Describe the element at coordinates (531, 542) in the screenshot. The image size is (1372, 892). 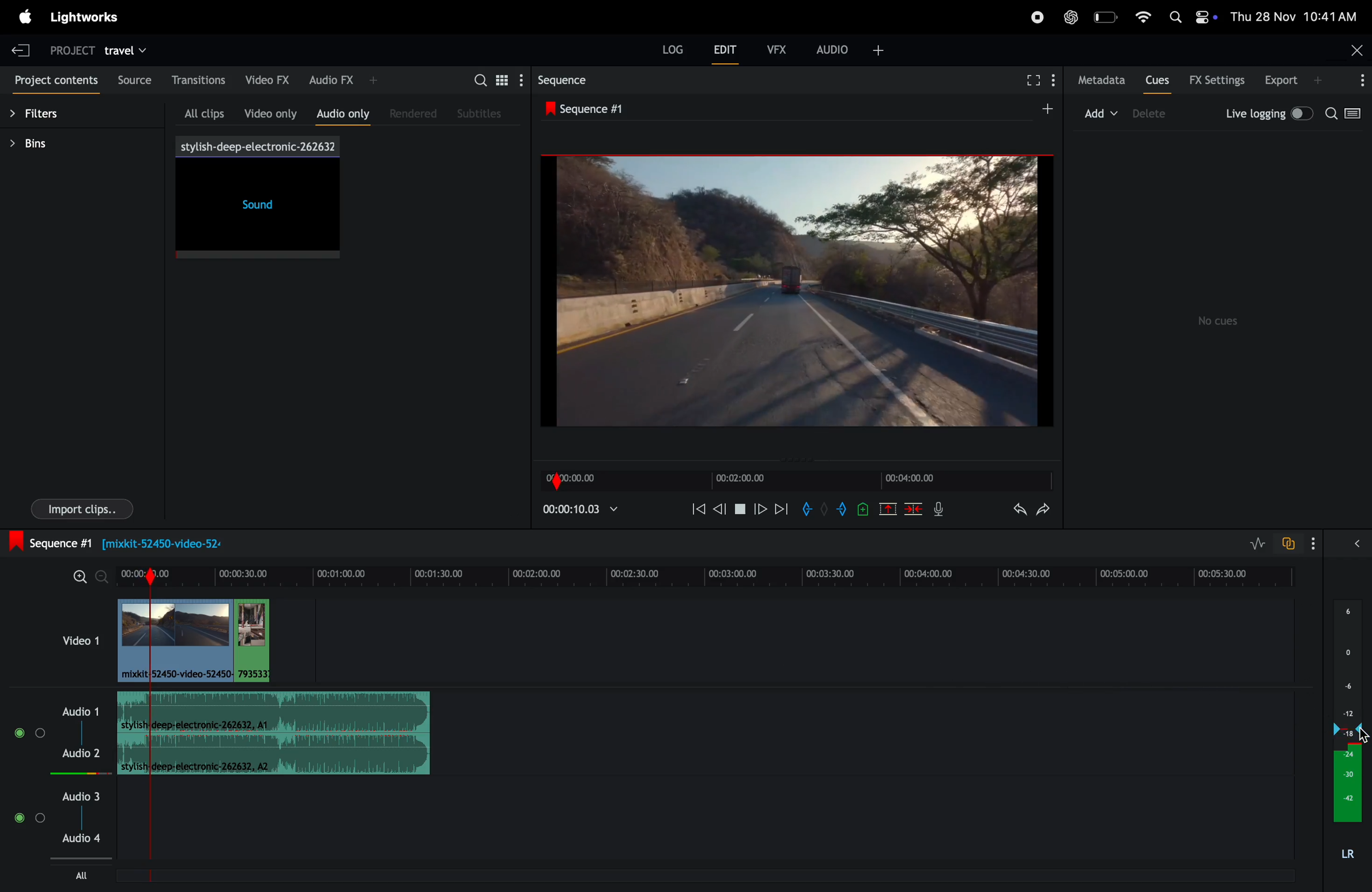
I see `sequence 1: Information` at that location.